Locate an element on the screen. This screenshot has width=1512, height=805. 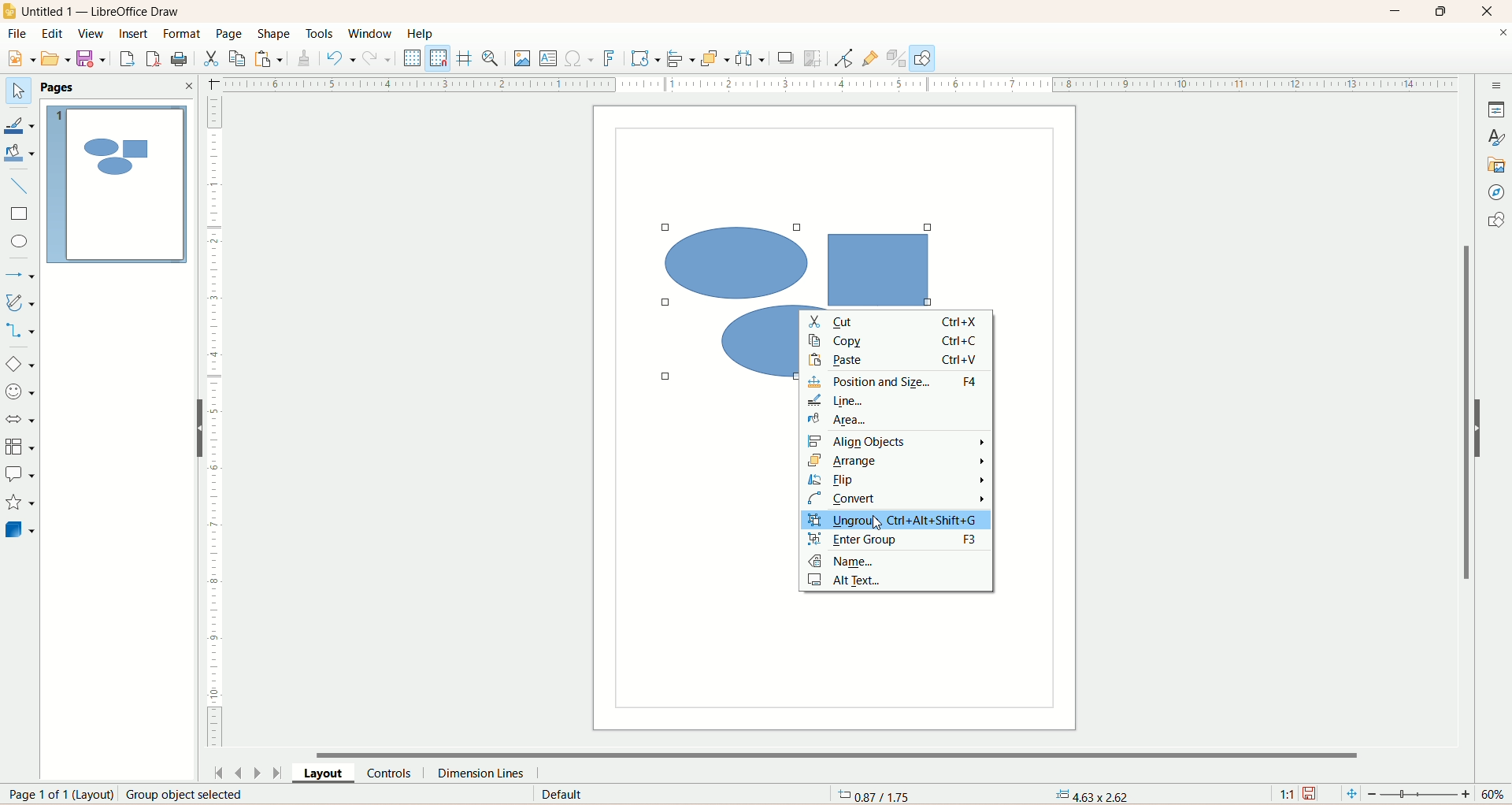
insert is located at coordinates (138, 39).